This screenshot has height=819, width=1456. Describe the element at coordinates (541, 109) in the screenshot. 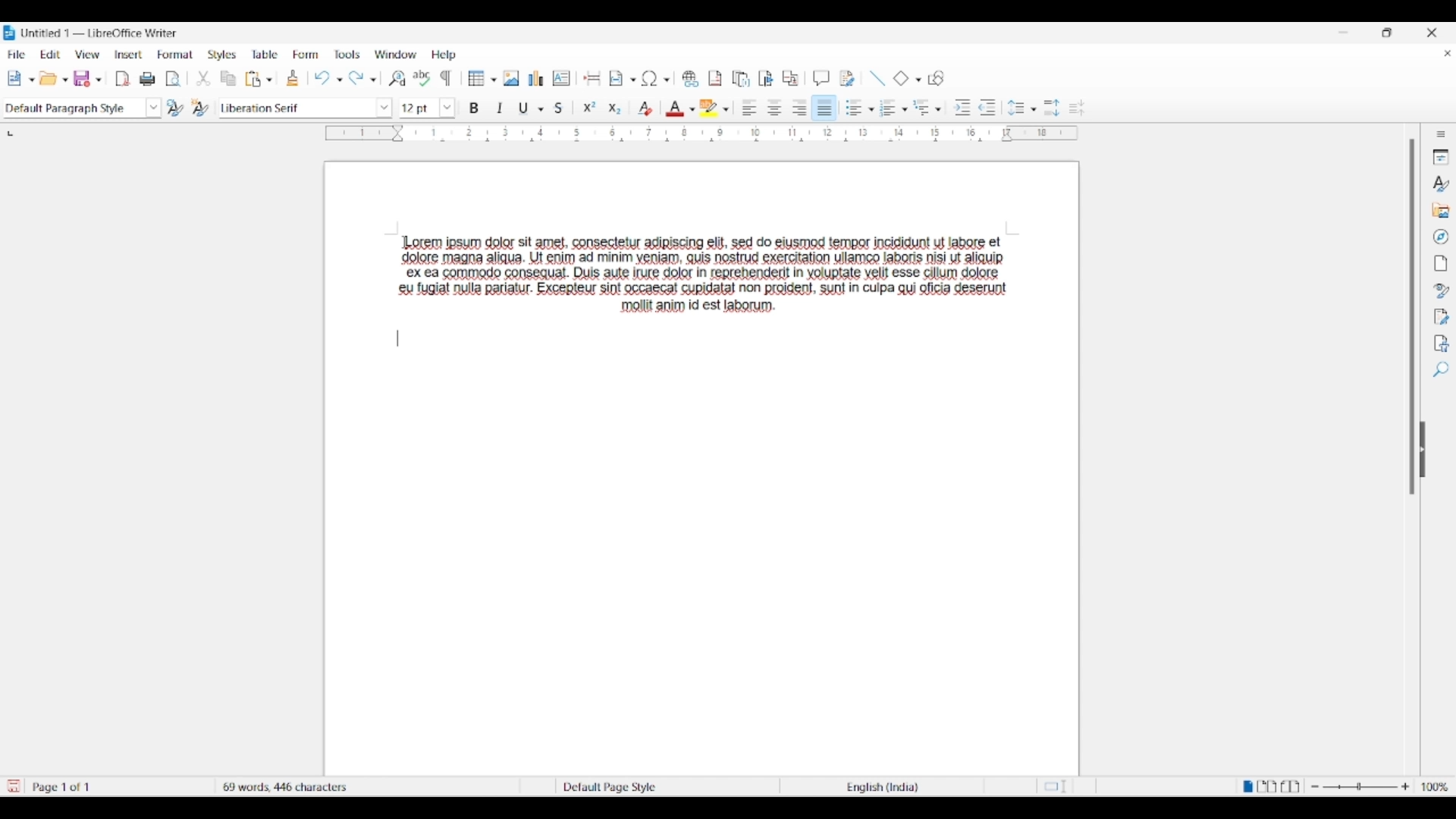

I see `Underline options` at that location.